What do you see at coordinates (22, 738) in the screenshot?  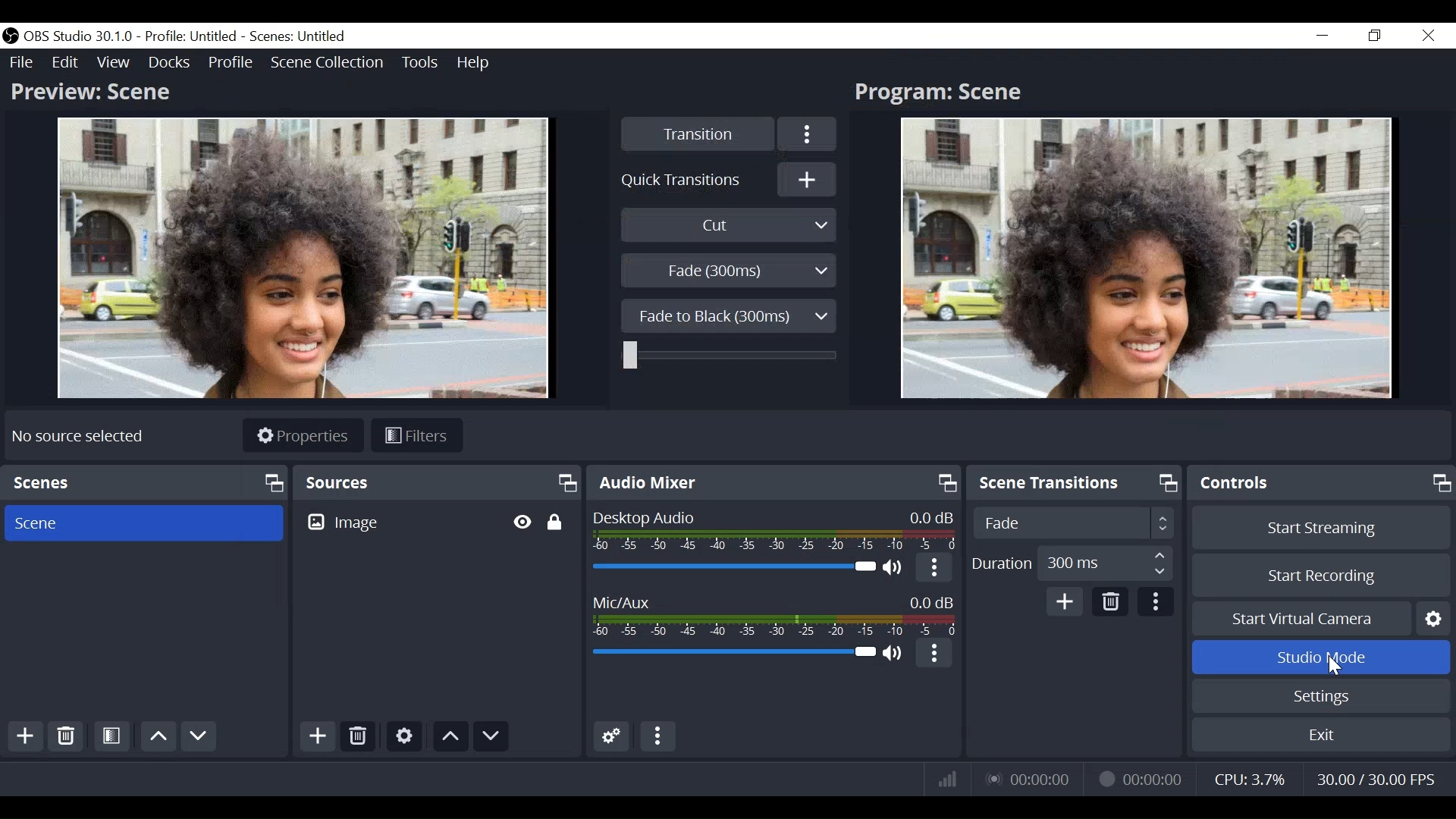 I see `Add` at bounding box center [22, 738].